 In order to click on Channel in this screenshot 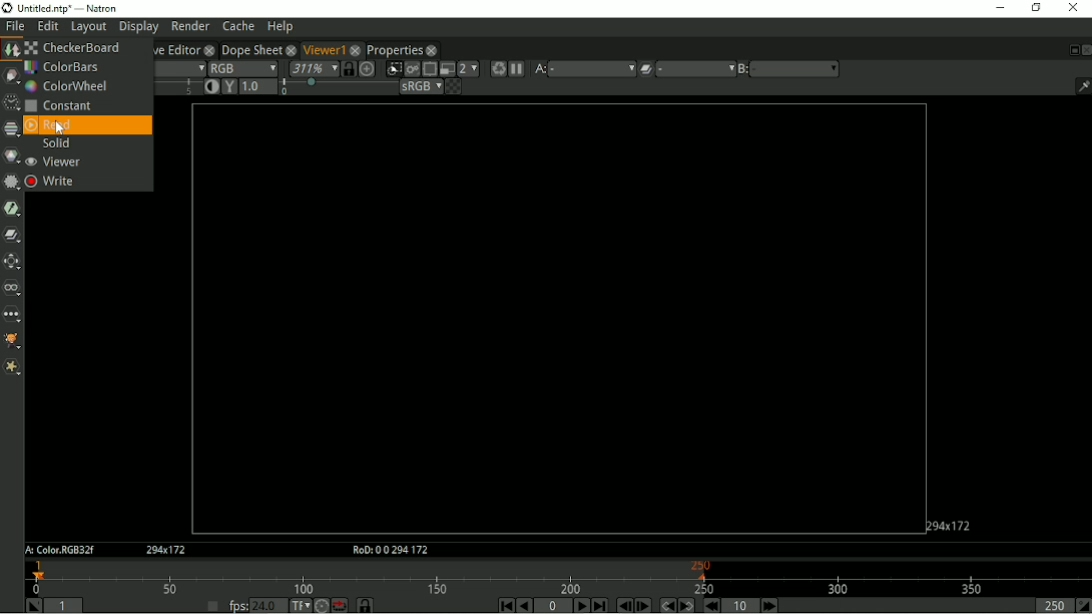, I will do `click(12, 129)`.